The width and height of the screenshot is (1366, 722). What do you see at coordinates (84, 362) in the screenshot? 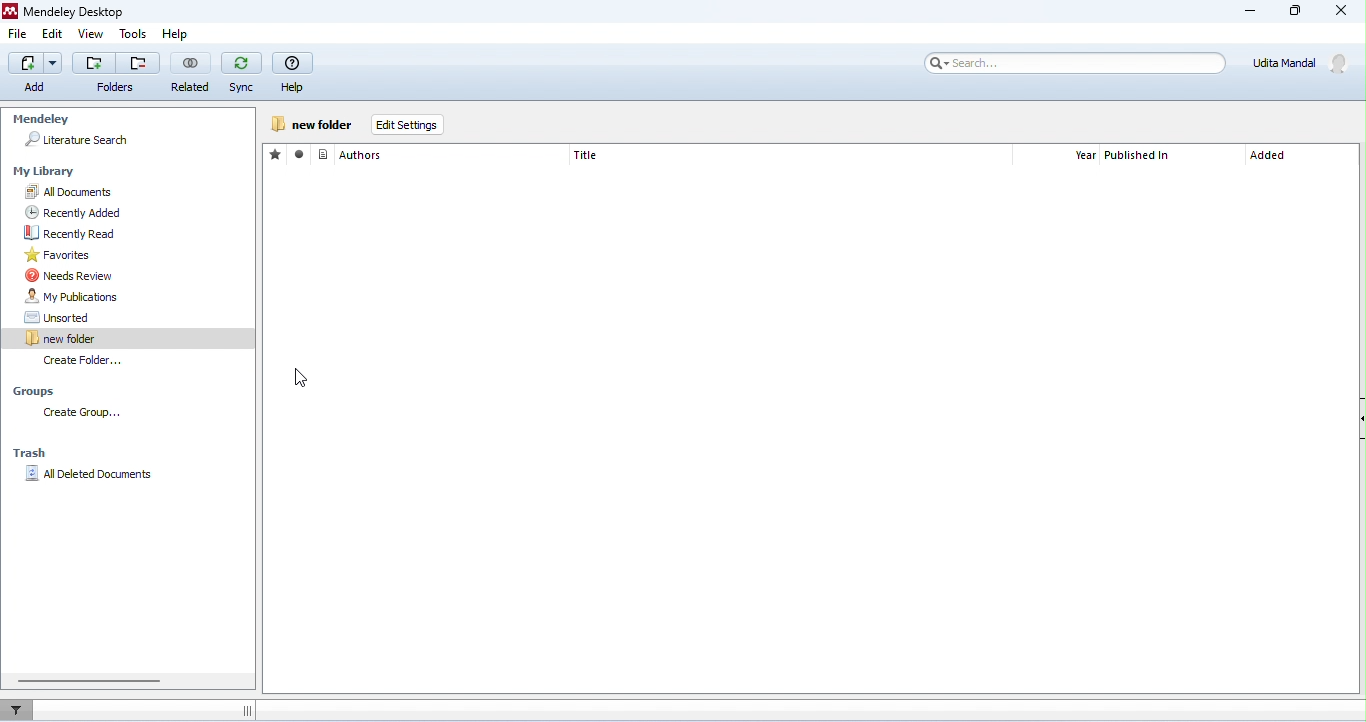
I see `create folder` at bounding box center [84, 362].